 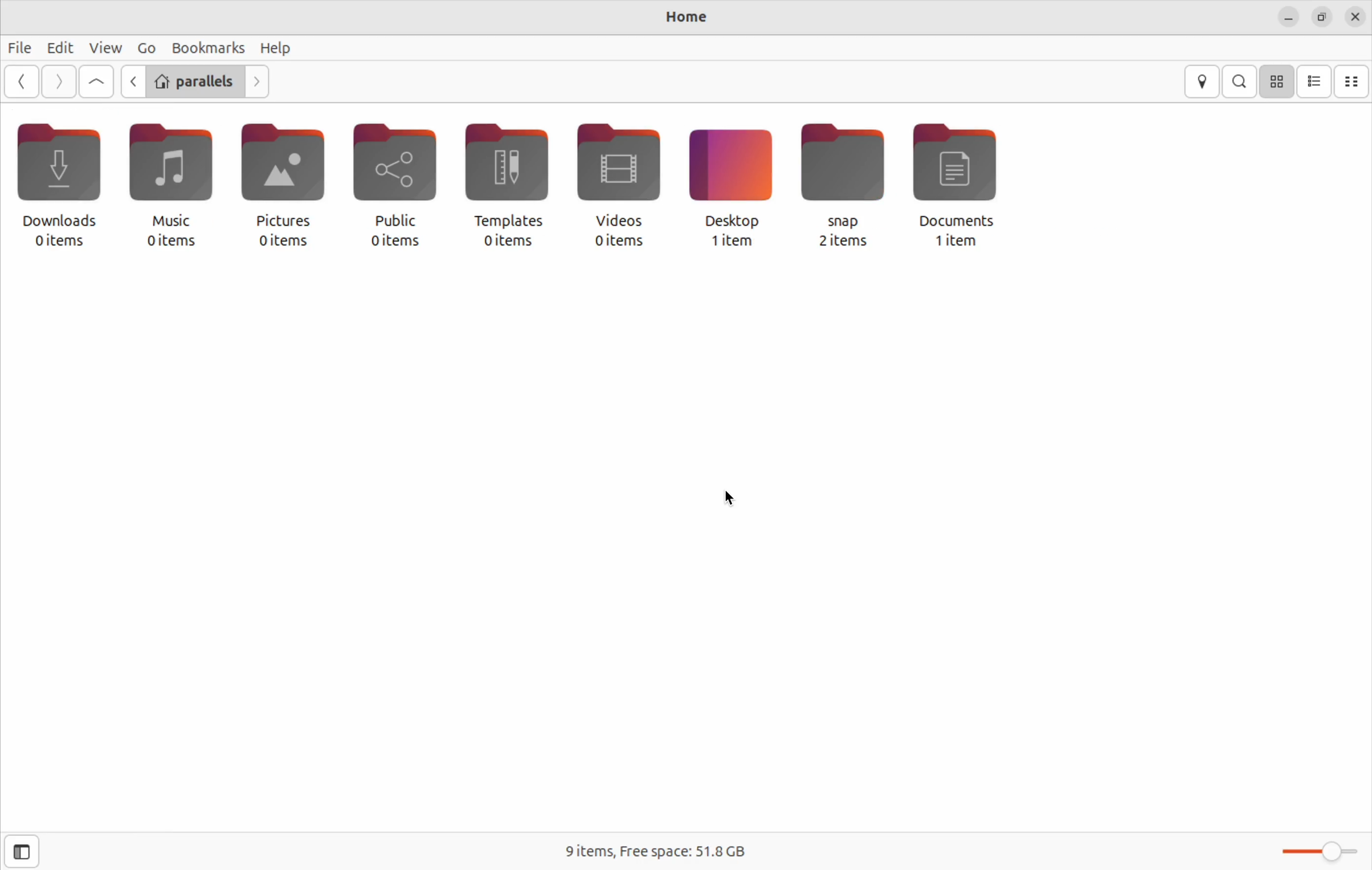 I want to click on Go forward, so click(x=56, y=82).